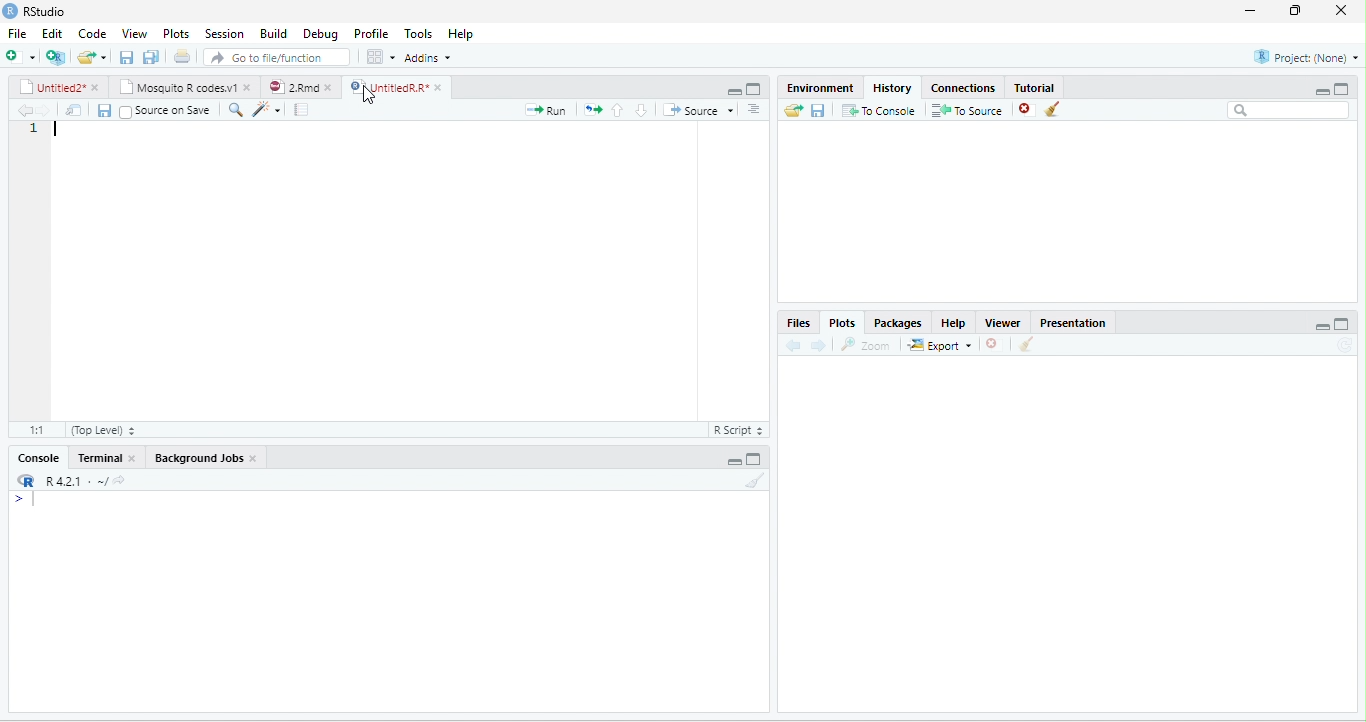 Image resolution: width=1366 pixels, height=722 pixels. Describe the element at coordinates (128, 56) in the screenshot. I see `previous file saction` at that location.